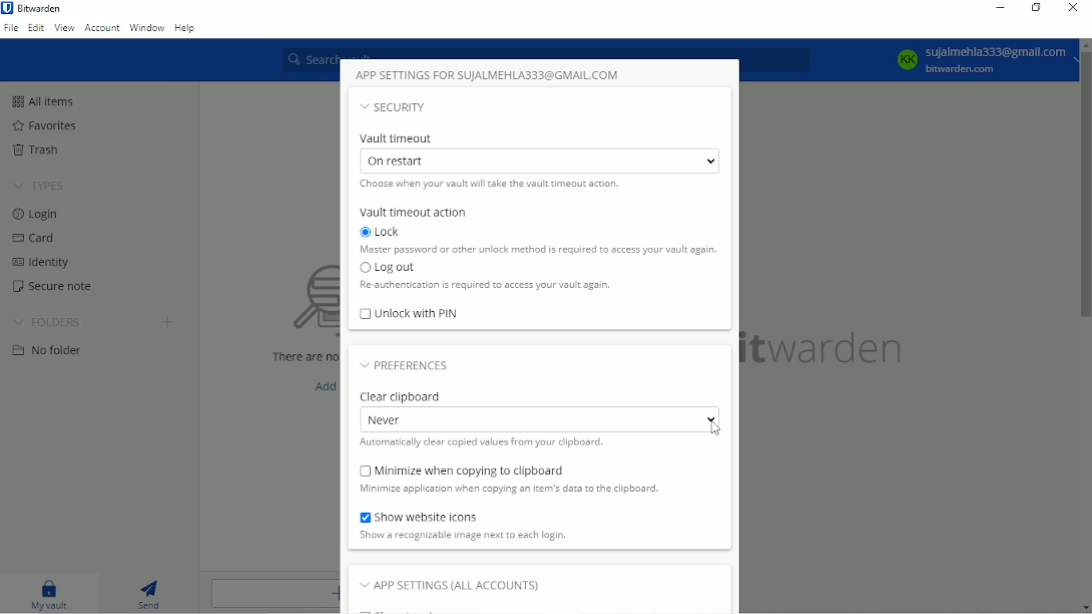 The image size is (1092, 614). I want to click on Vault timeout action, so click(416, 213).